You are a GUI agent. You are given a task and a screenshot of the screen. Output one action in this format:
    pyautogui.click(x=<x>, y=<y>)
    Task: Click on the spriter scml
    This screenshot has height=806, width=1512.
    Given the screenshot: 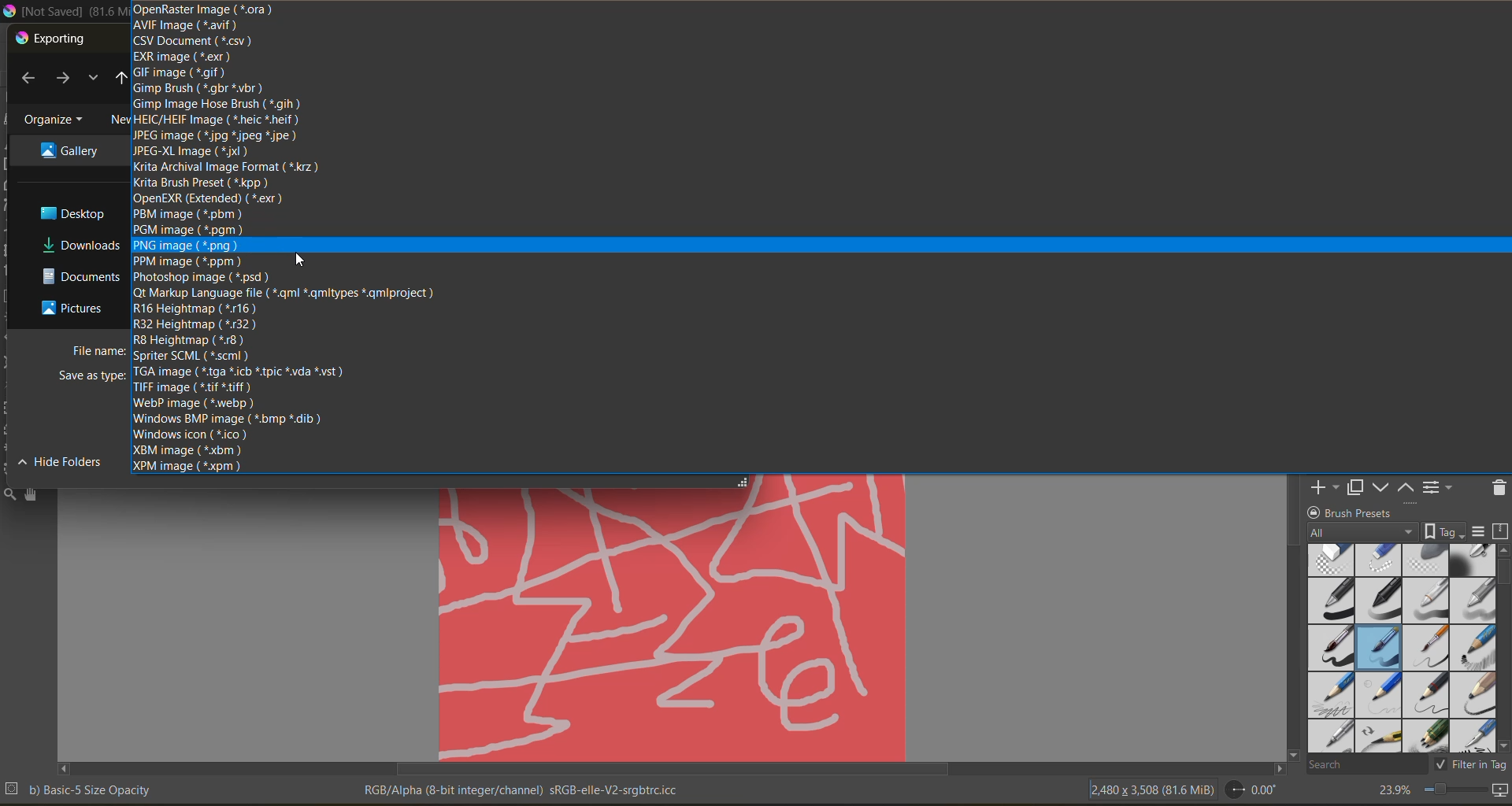 What is the action you would take?
    pyautogui.click(x=193, y=355)
    